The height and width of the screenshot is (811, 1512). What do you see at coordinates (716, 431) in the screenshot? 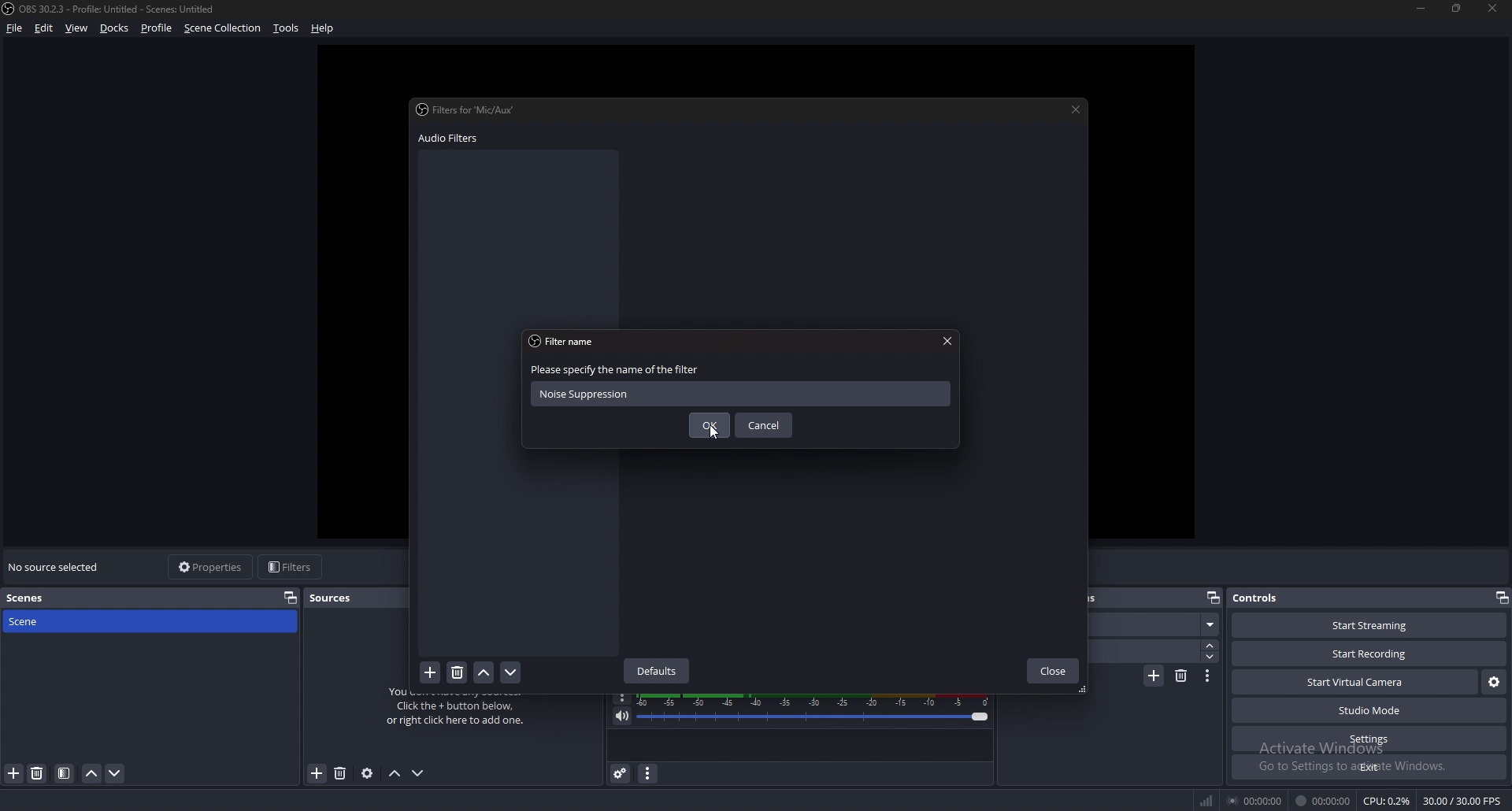
I see `cursor` at bounding box center [716, 431].